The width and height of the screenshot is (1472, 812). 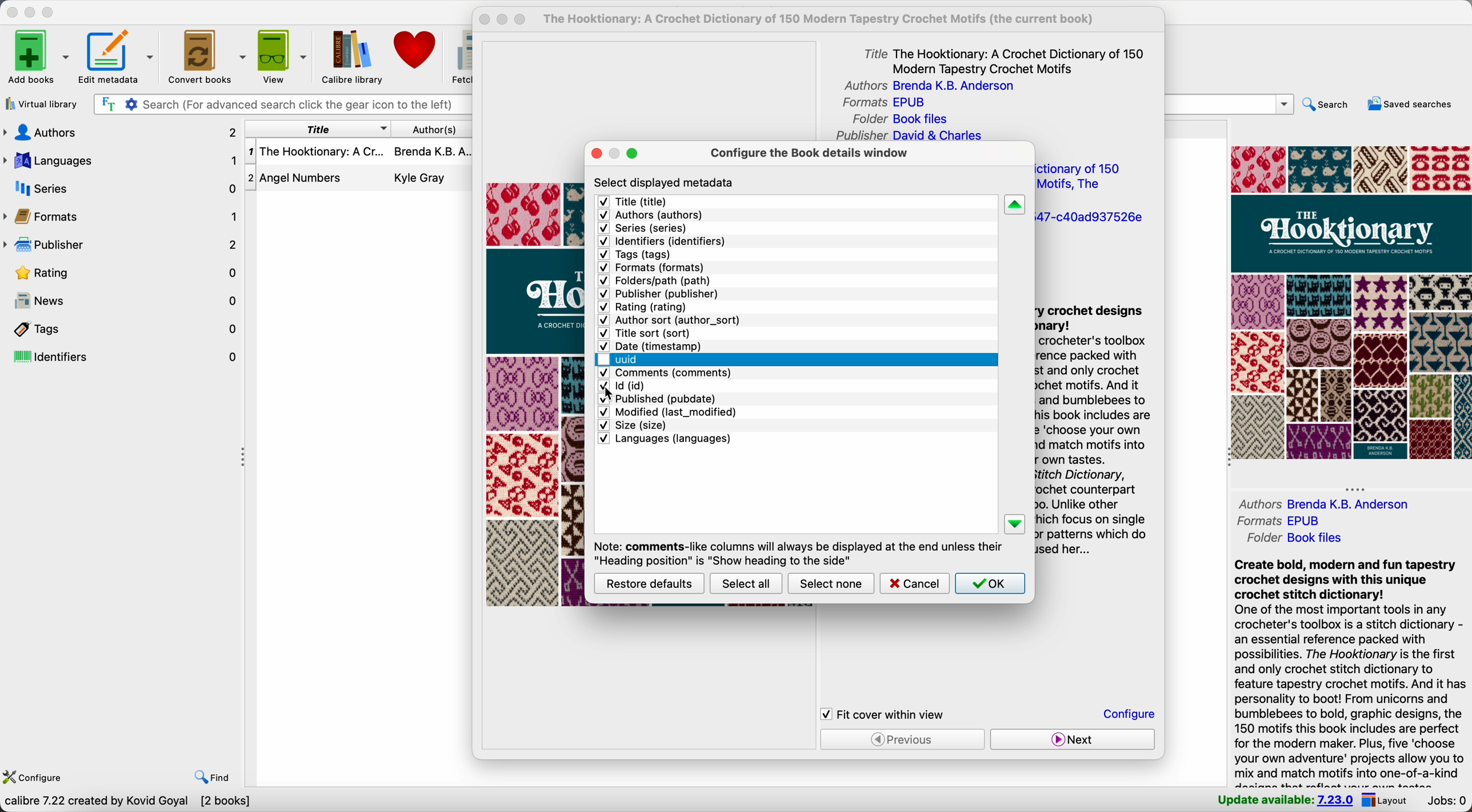 What do you see at coordinates (670, 320) in the screenshot?
I see `author sort` at bounding box center [670, 320].